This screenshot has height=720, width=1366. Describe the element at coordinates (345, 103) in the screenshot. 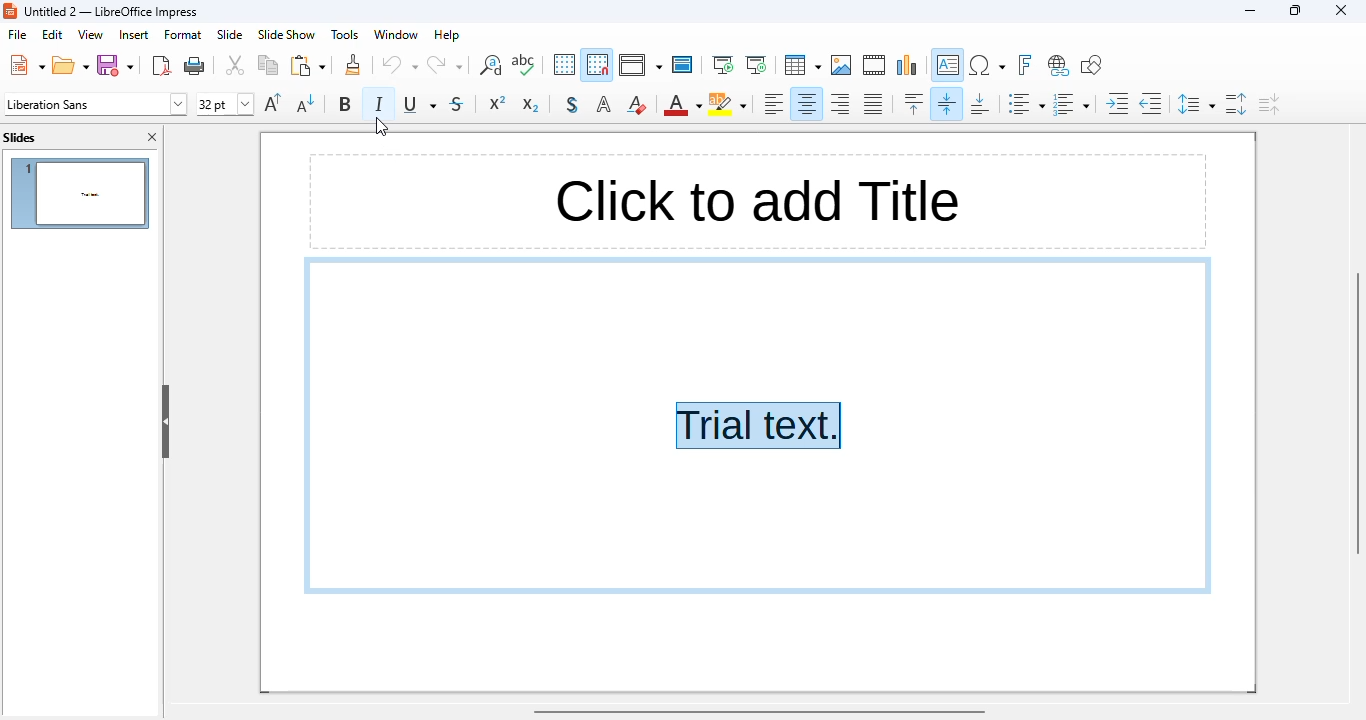

I see `bold` at that location.